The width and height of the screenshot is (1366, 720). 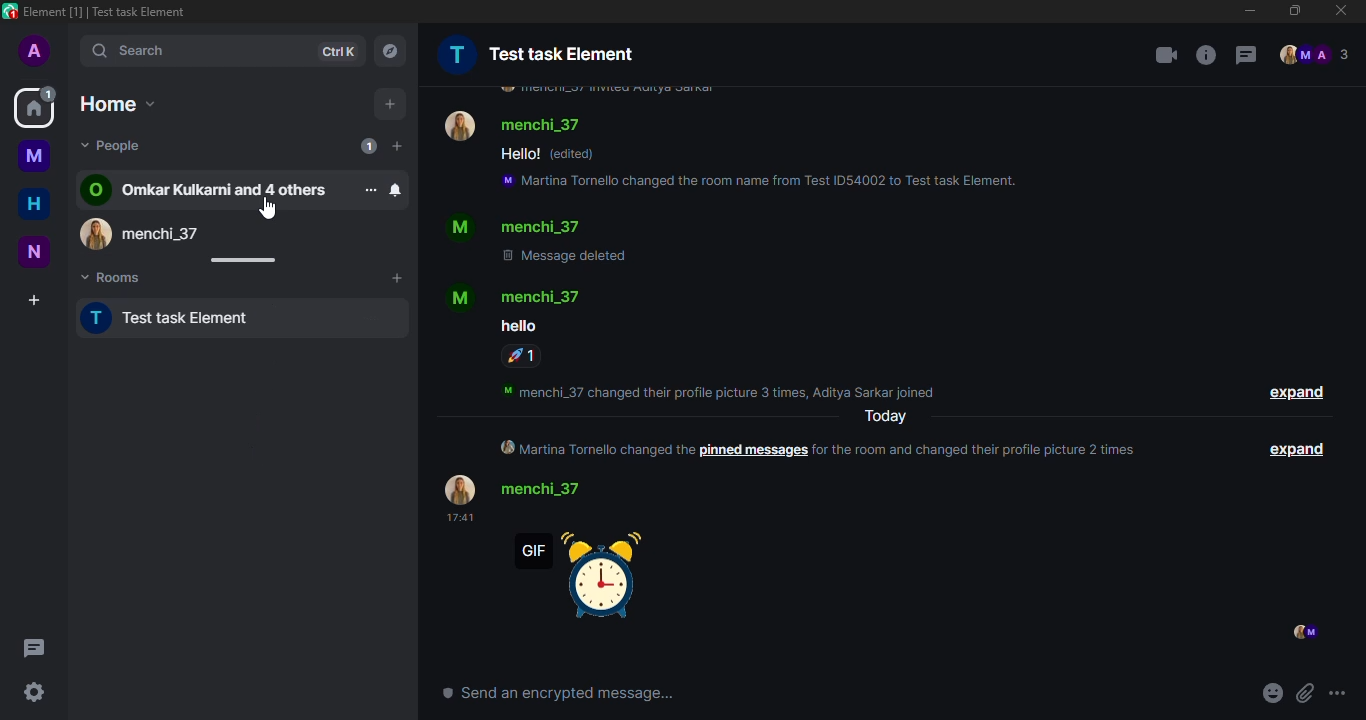 I want to click on martina tornello changed the, so click(x=597, y=448).